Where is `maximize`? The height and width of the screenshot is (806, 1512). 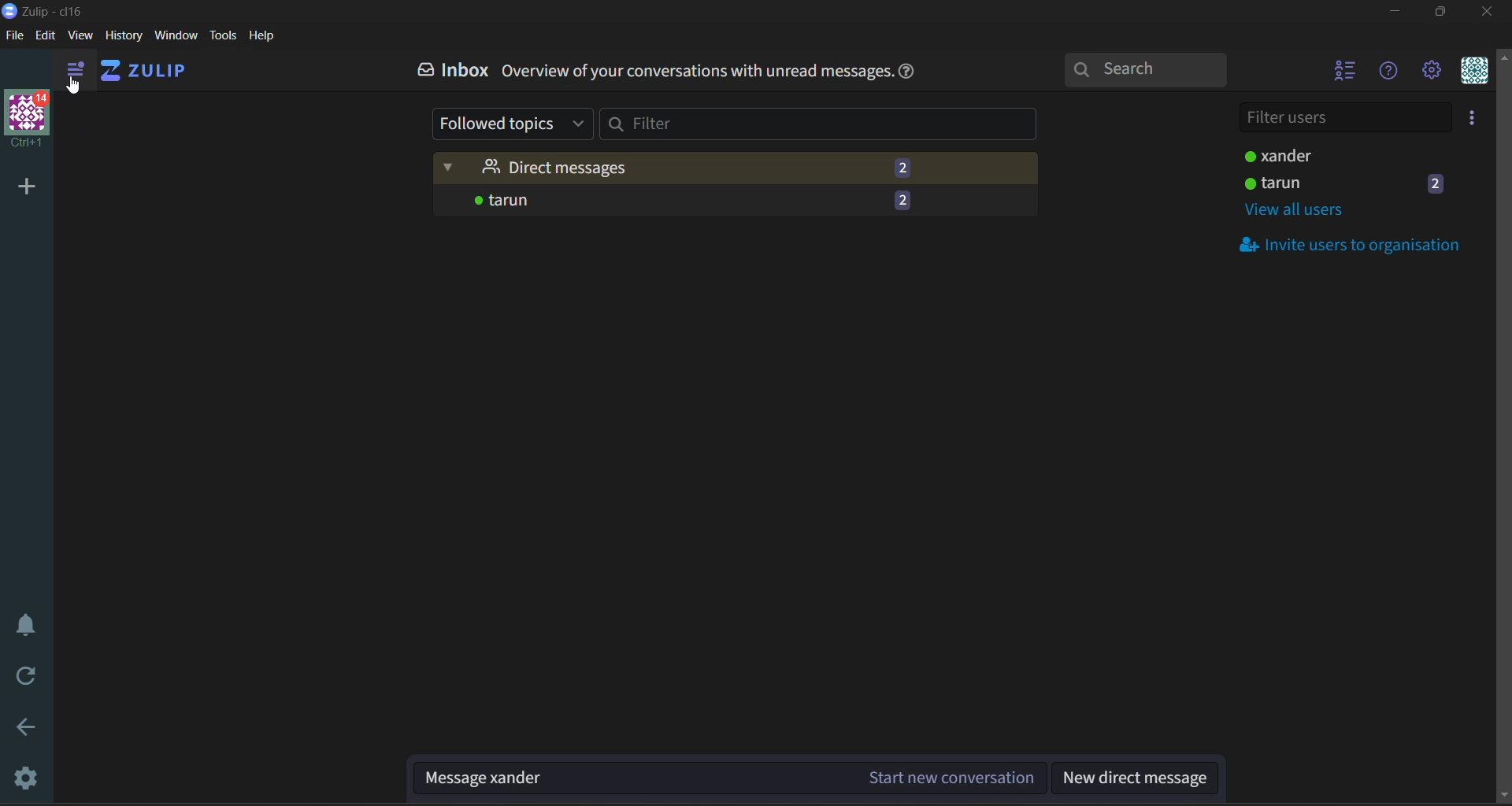
maximize is located at coordinates (1440, 13).